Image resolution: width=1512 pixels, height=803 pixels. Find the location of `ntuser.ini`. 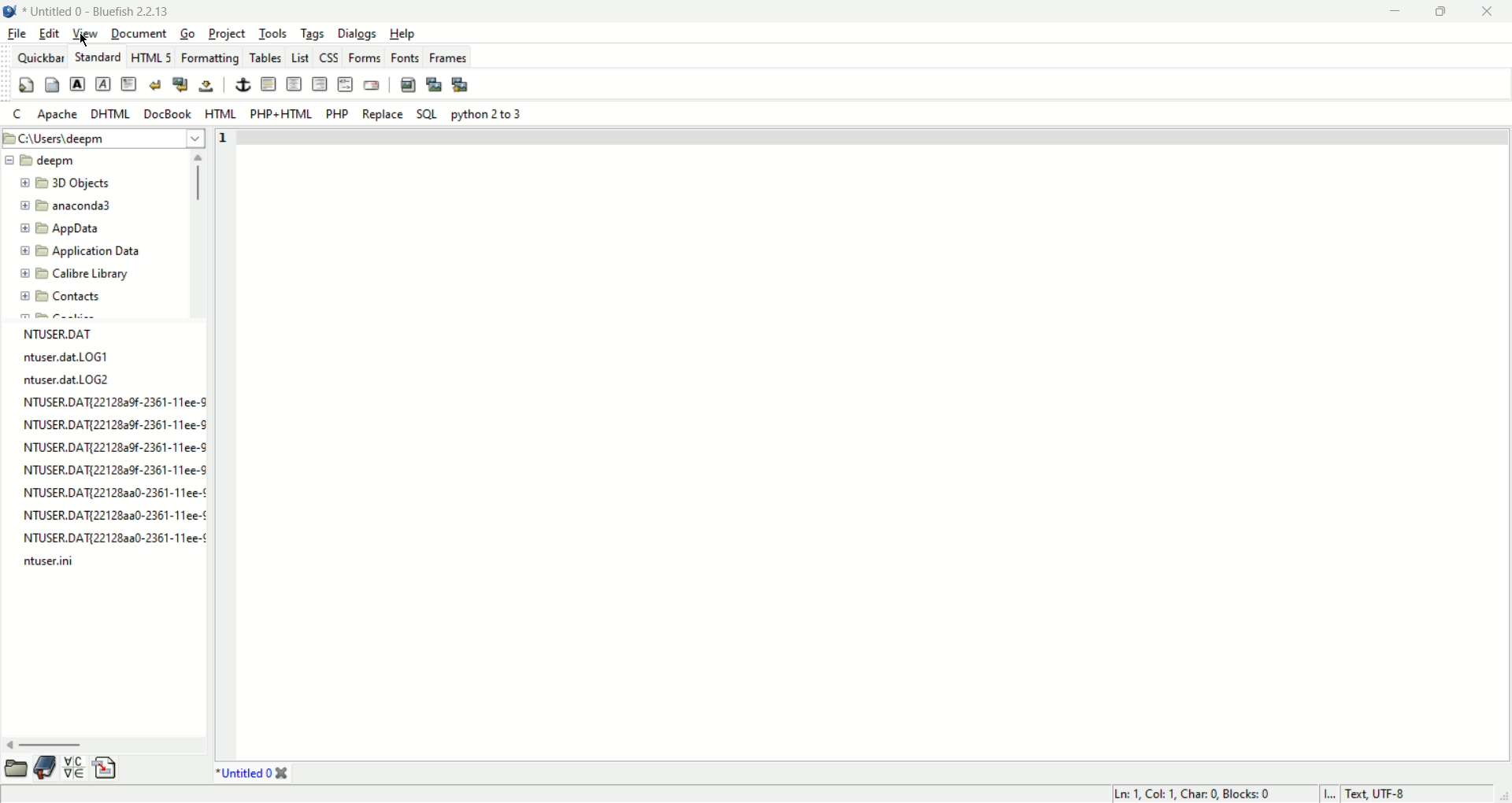

ntuser.ini is located at coordinates (47, 561).